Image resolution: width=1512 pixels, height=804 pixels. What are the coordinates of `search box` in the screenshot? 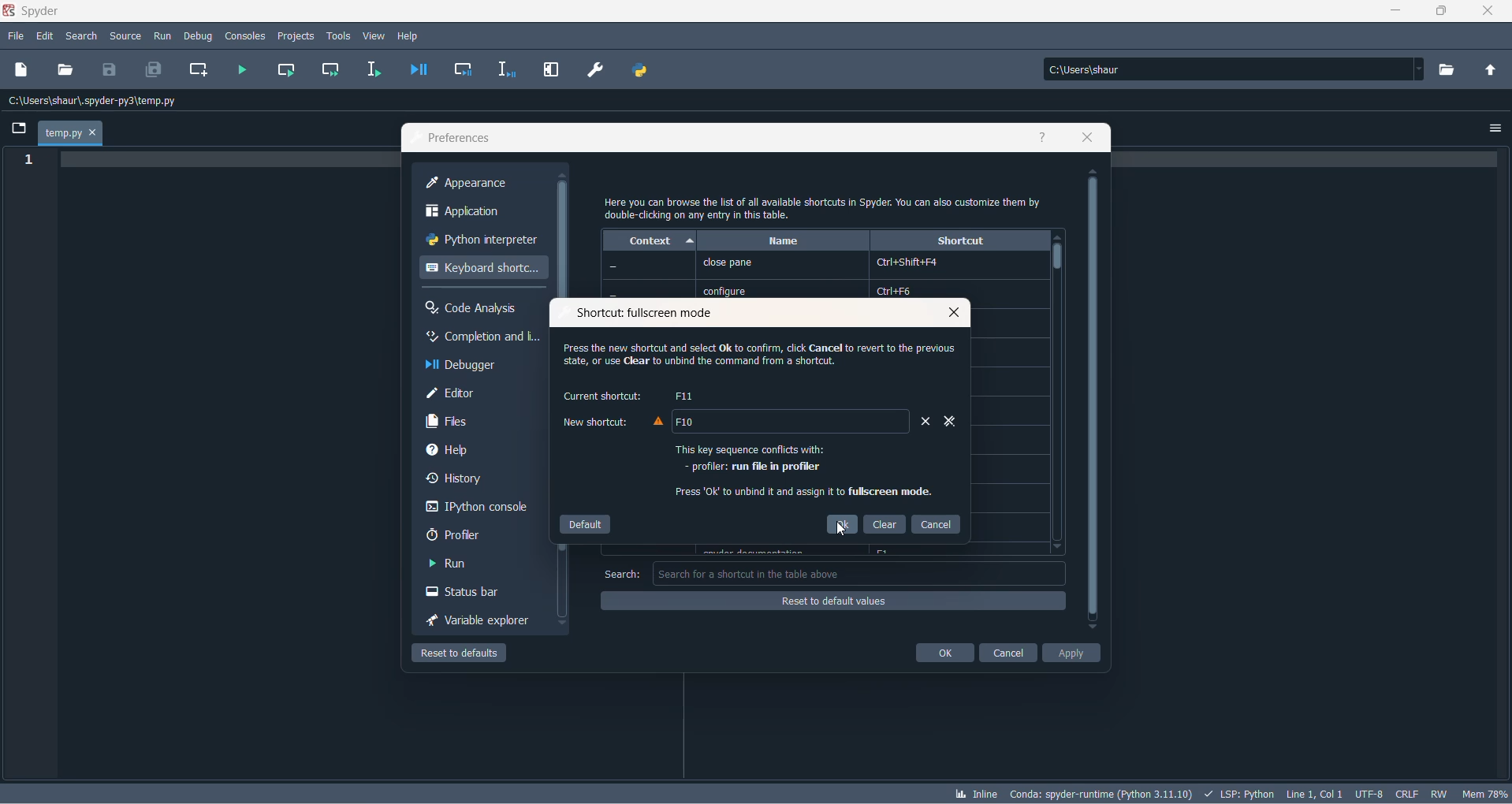 It's located at (862, 573).